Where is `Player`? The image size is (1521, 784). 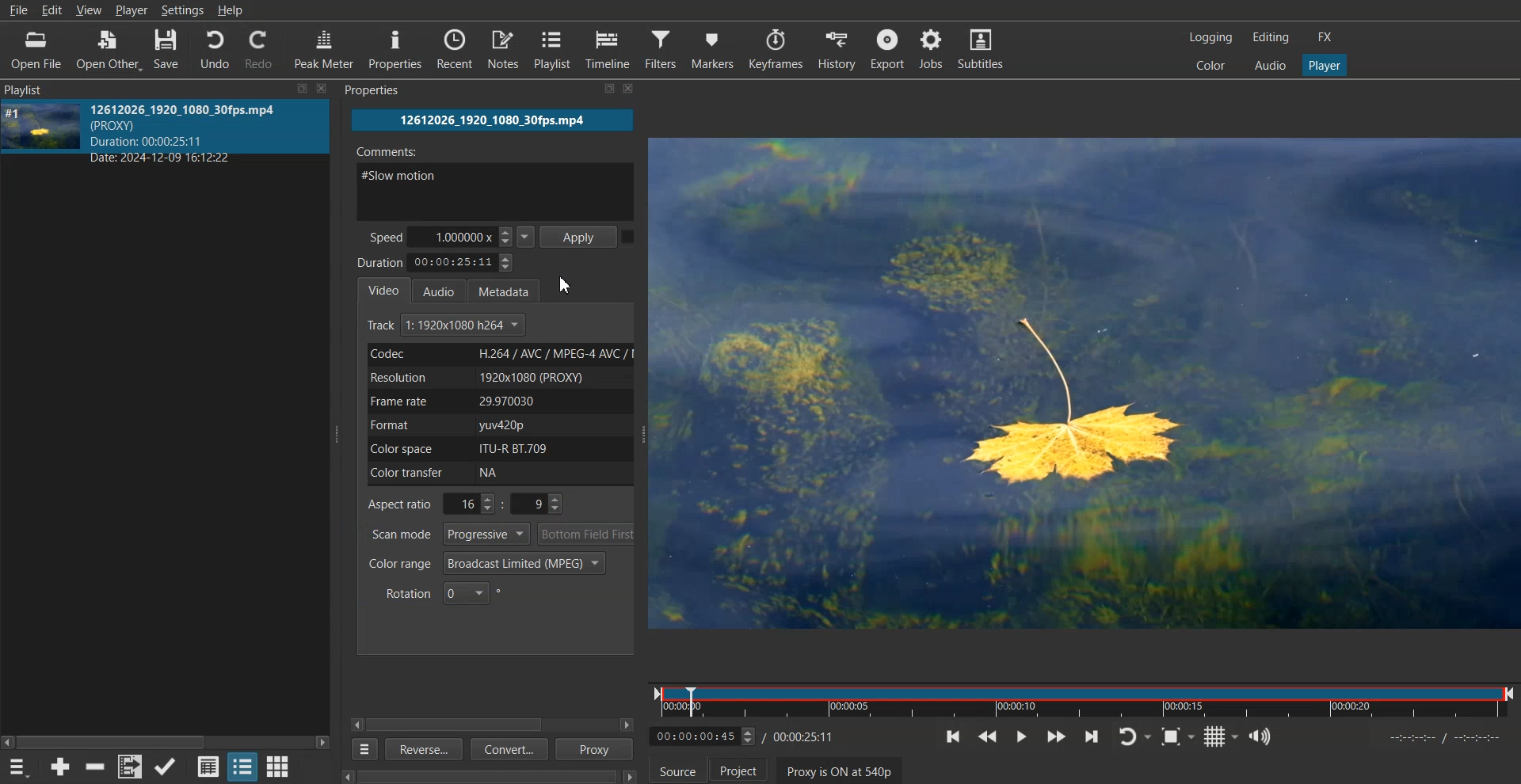 Player is located at coordinates (132, 11).